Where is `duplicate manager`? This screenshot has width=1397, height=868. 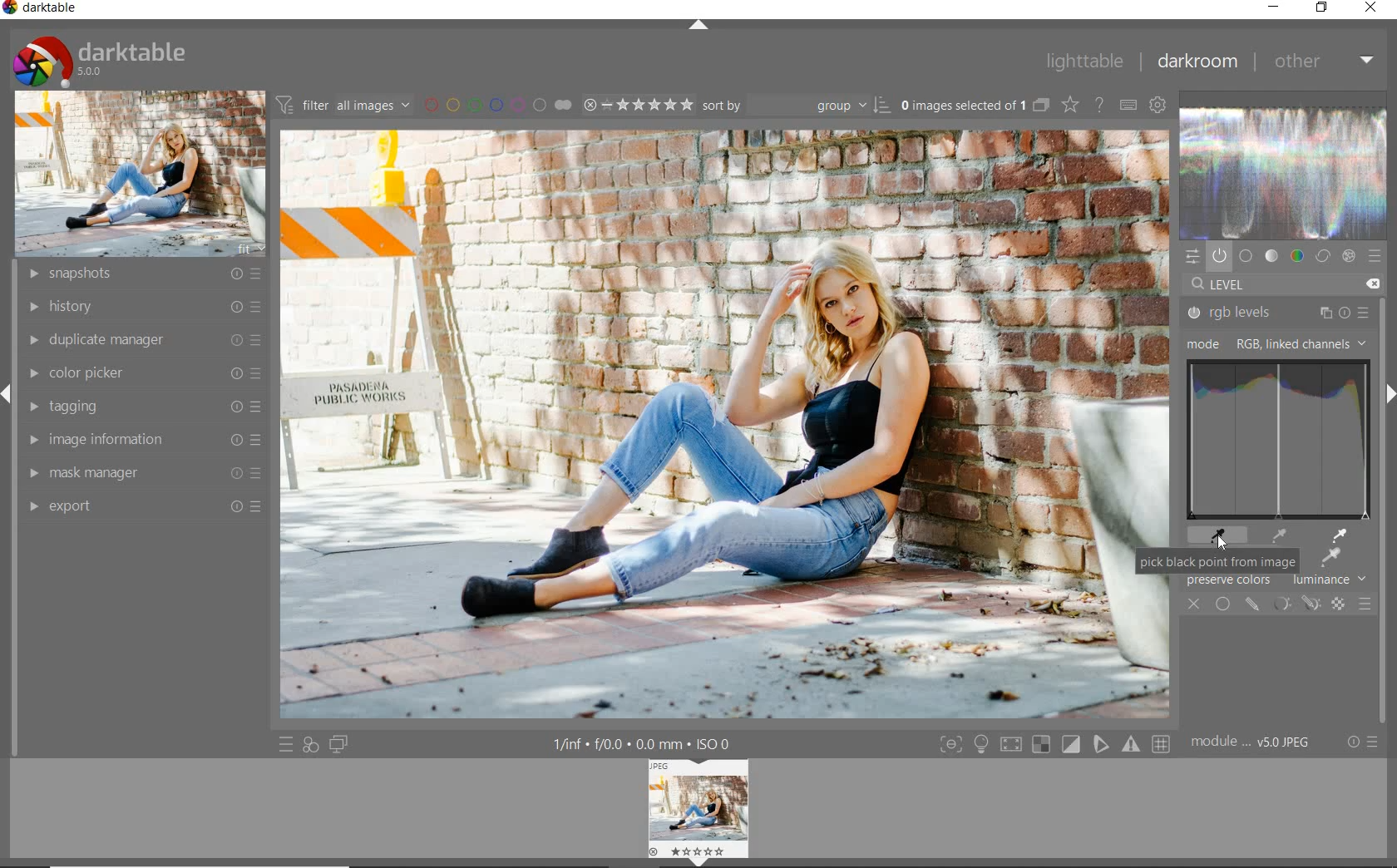
duplicate manager is located at coordinates (140, 341).